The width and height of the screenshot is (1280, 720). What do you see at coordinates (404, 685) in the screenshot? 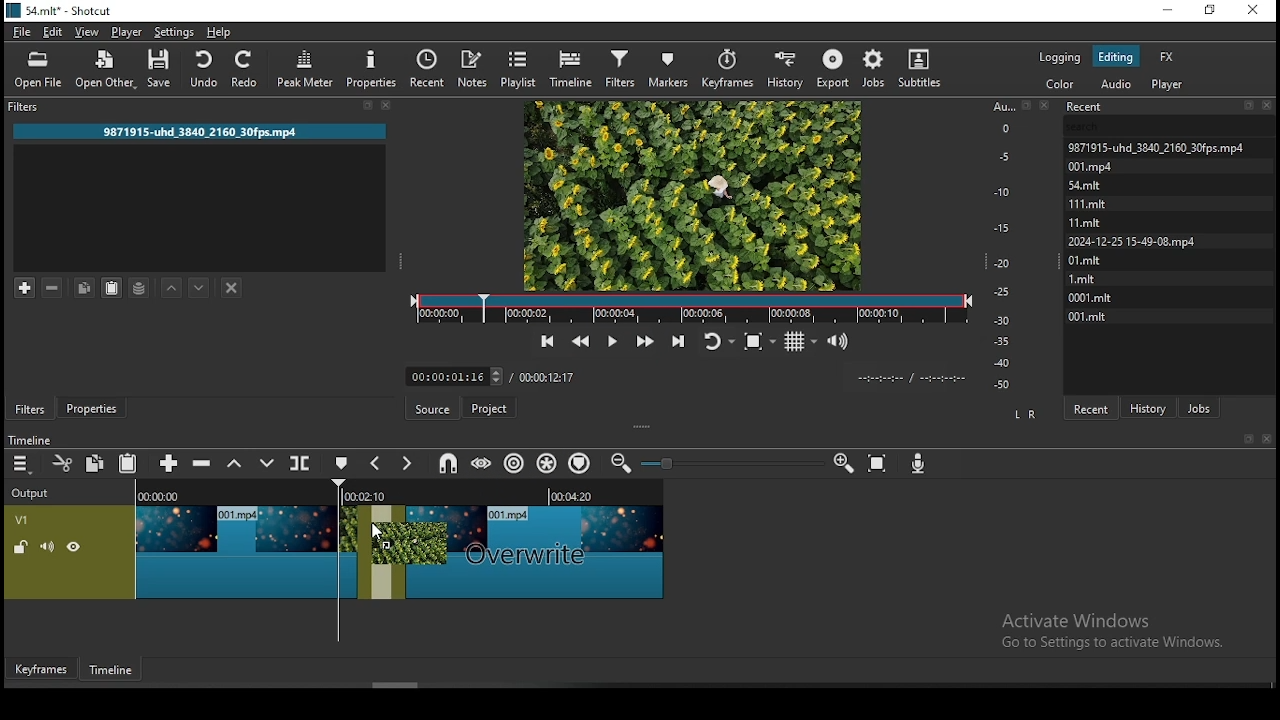
I see `scroll bar` at bounding box center [404, 685].